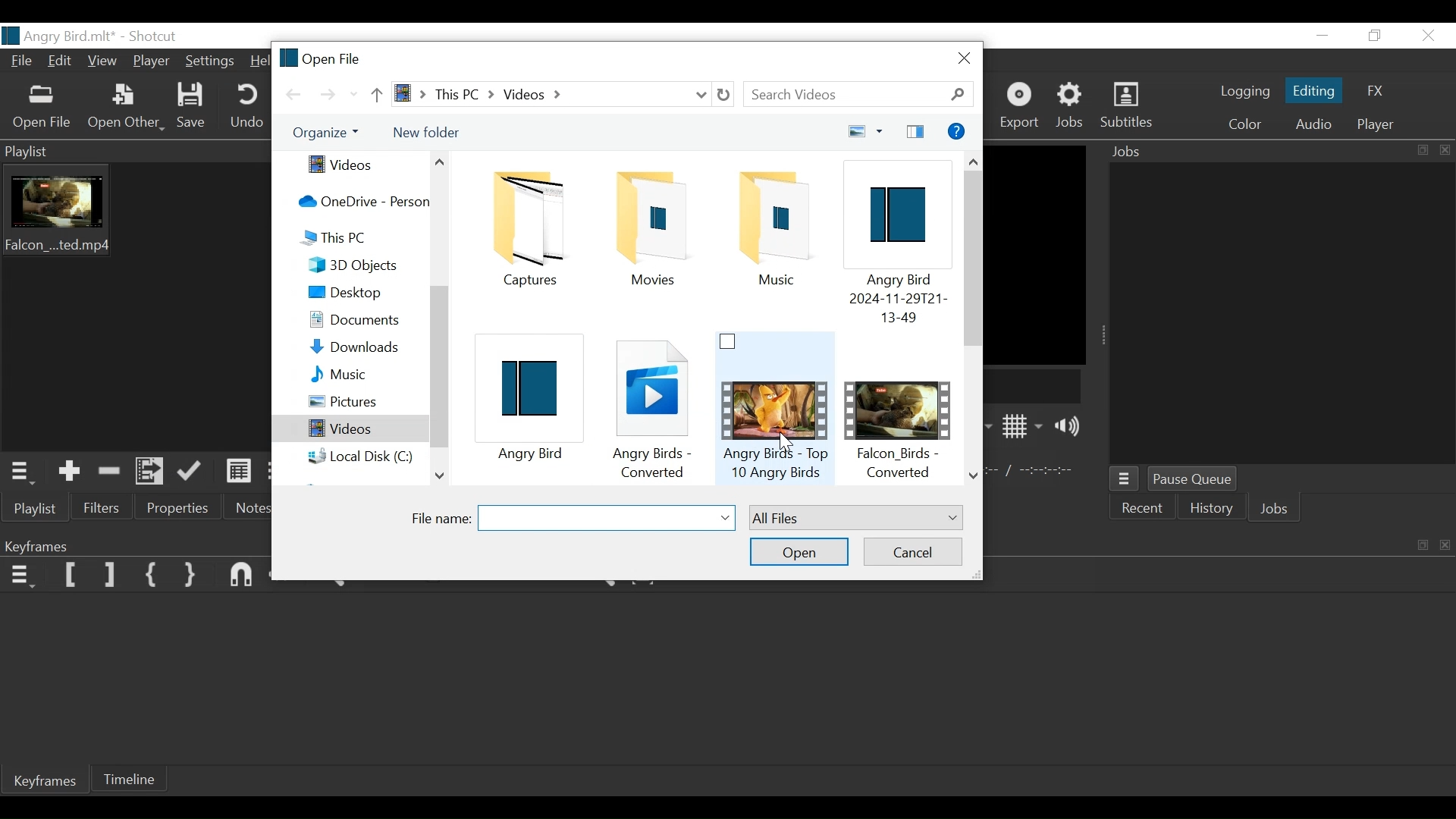 The height and width of the screenshot is (819, 1456). What do you see at coordinates (152, 61) in the screenshot?
I see `Player` at bounding box center [152, 61].